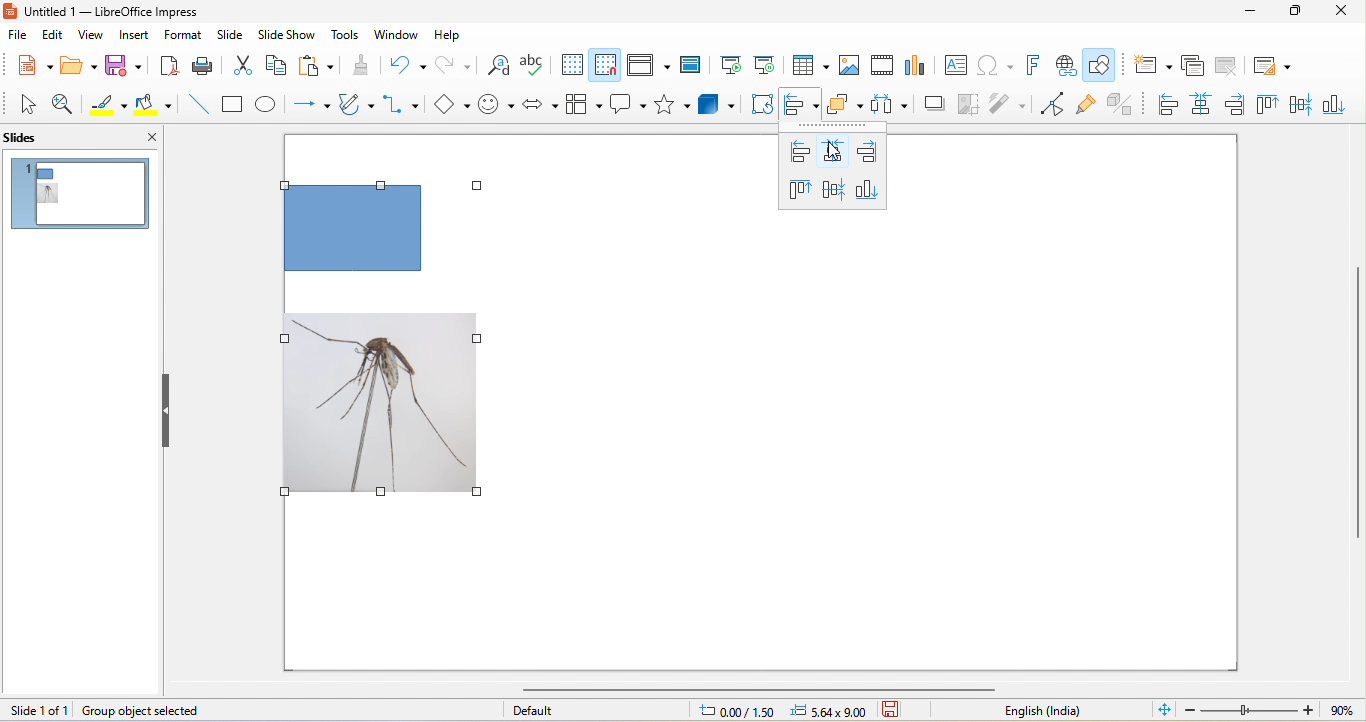 This screenshot has height=722, width=1366. Describe the element at coordinates (866, 189) in the screenshot. I see `bottom` at that location.